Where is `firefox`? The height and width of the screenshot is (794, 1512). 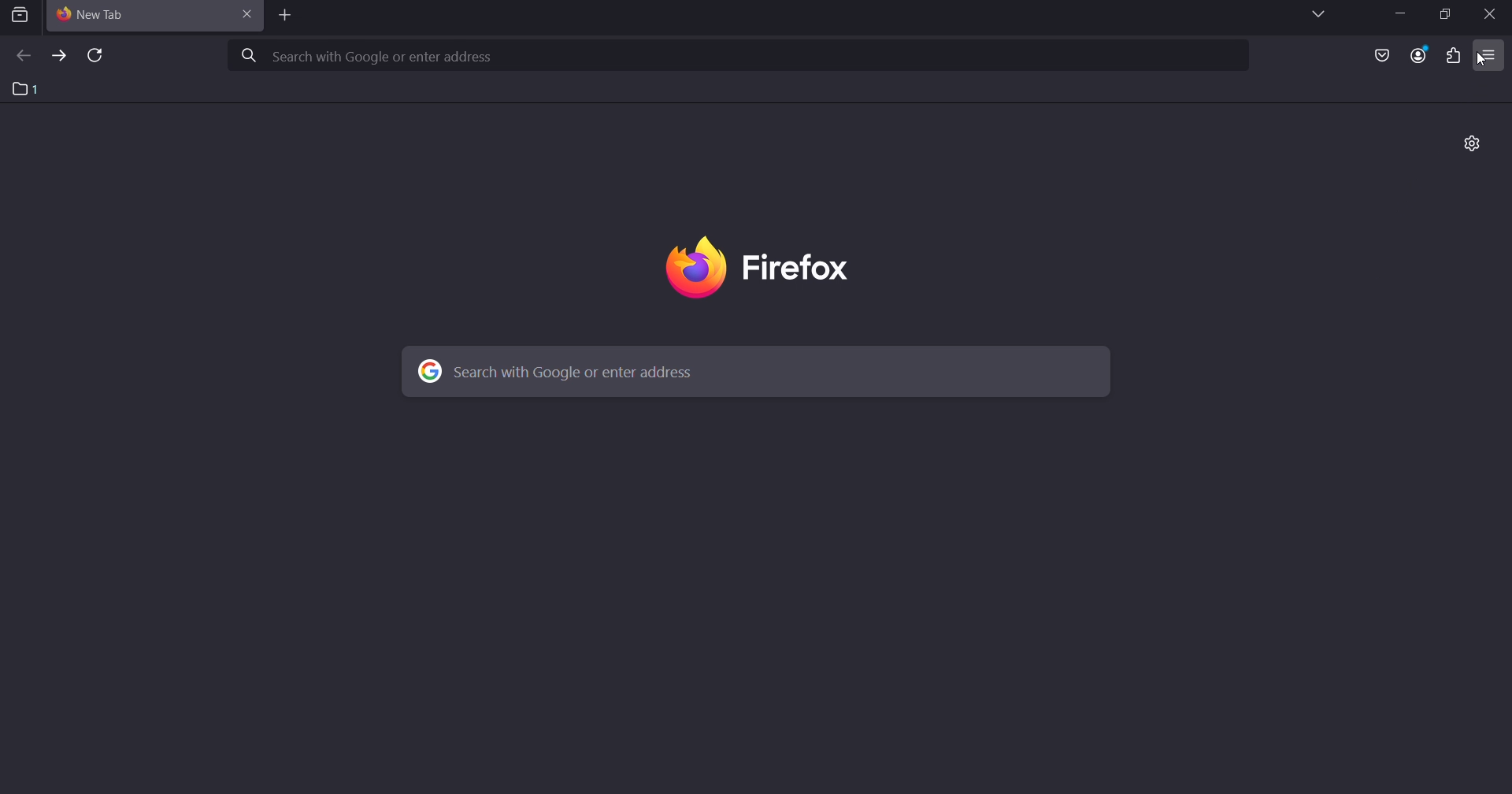
firefox is located at coordinates (747, 262).